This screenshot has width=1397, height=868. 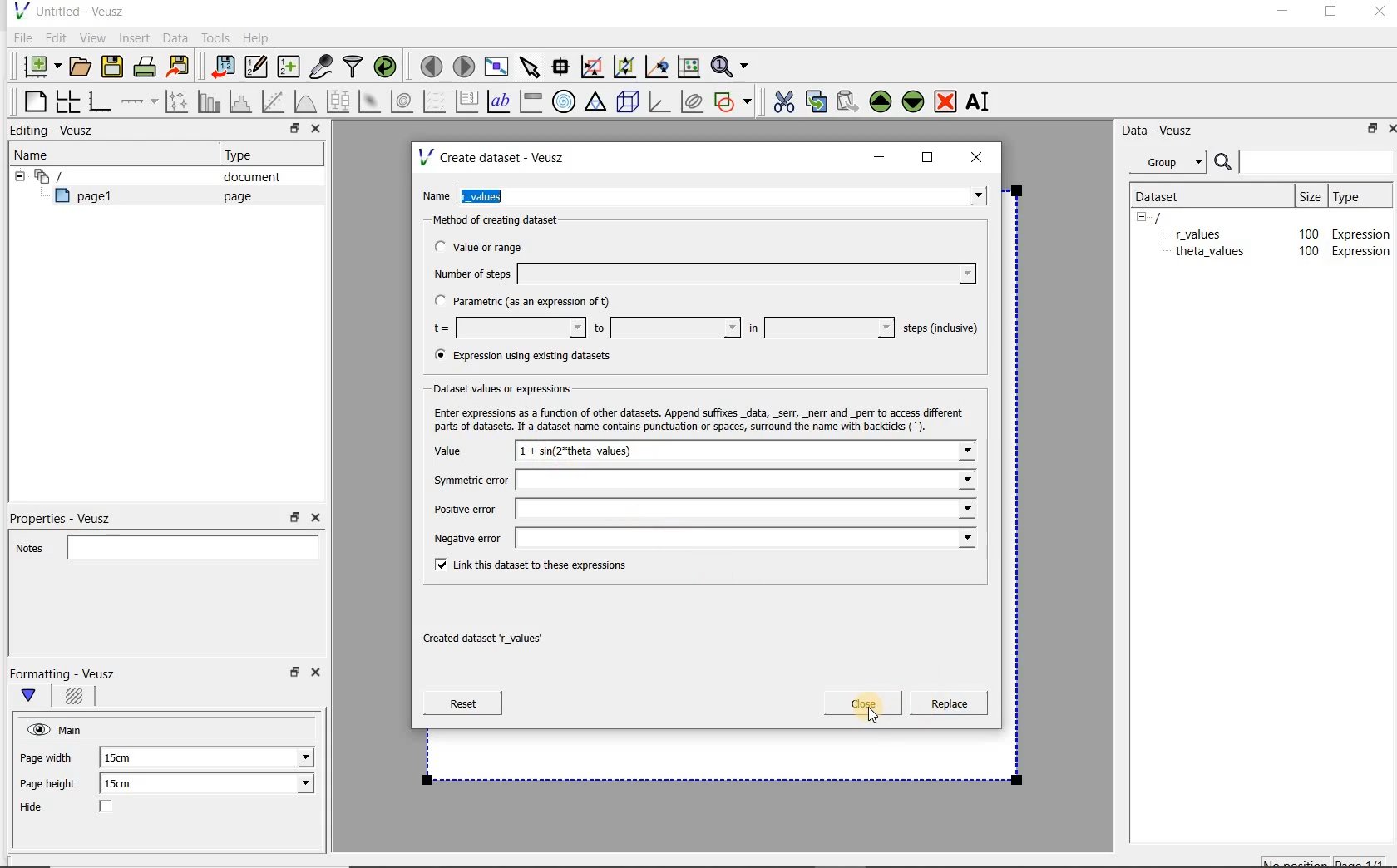 I want to click on Type, so click(x=245, y=155).